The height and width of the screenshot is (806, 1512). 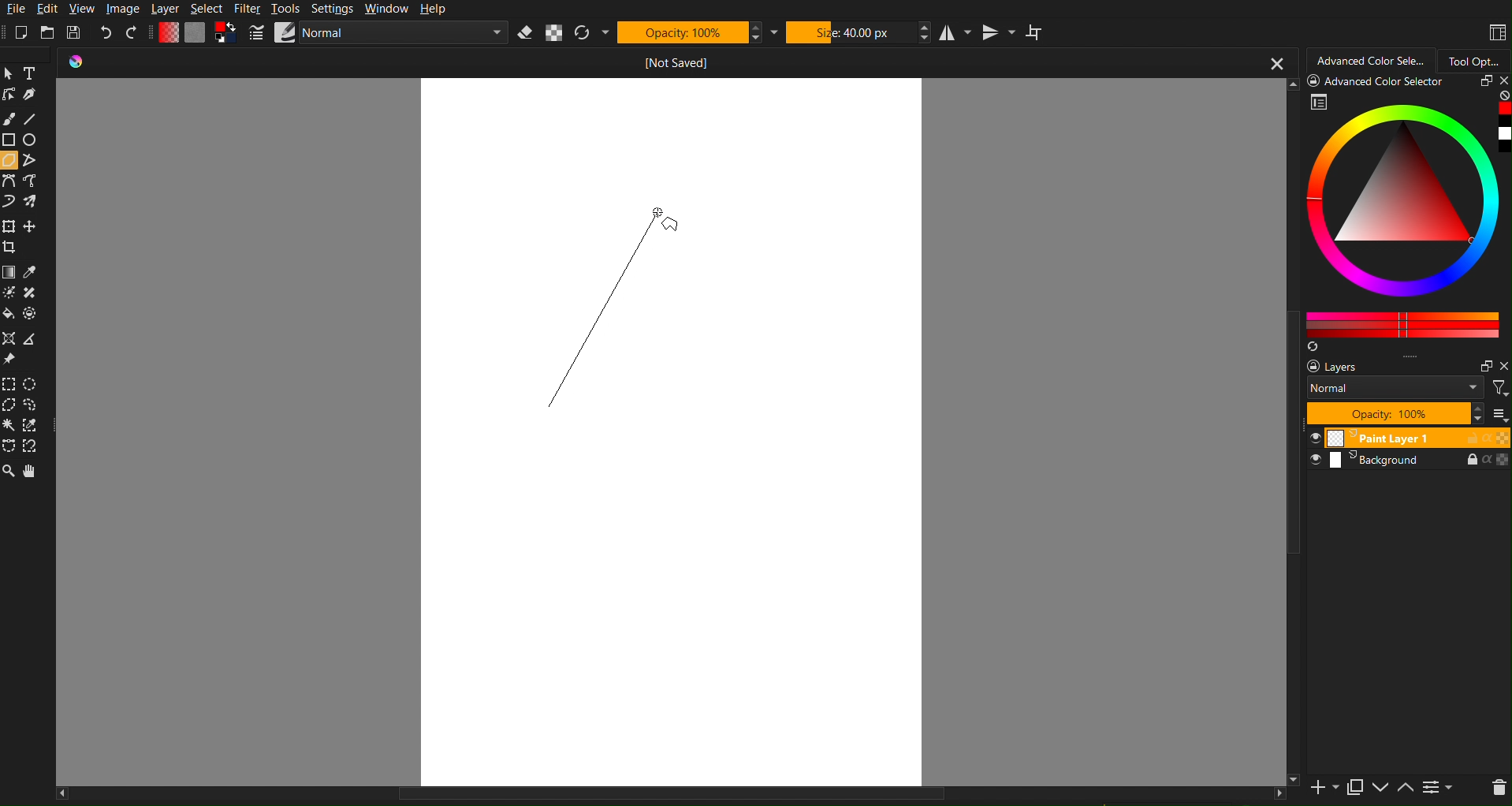 I want to click on layers, so click(x=1350, y=368).